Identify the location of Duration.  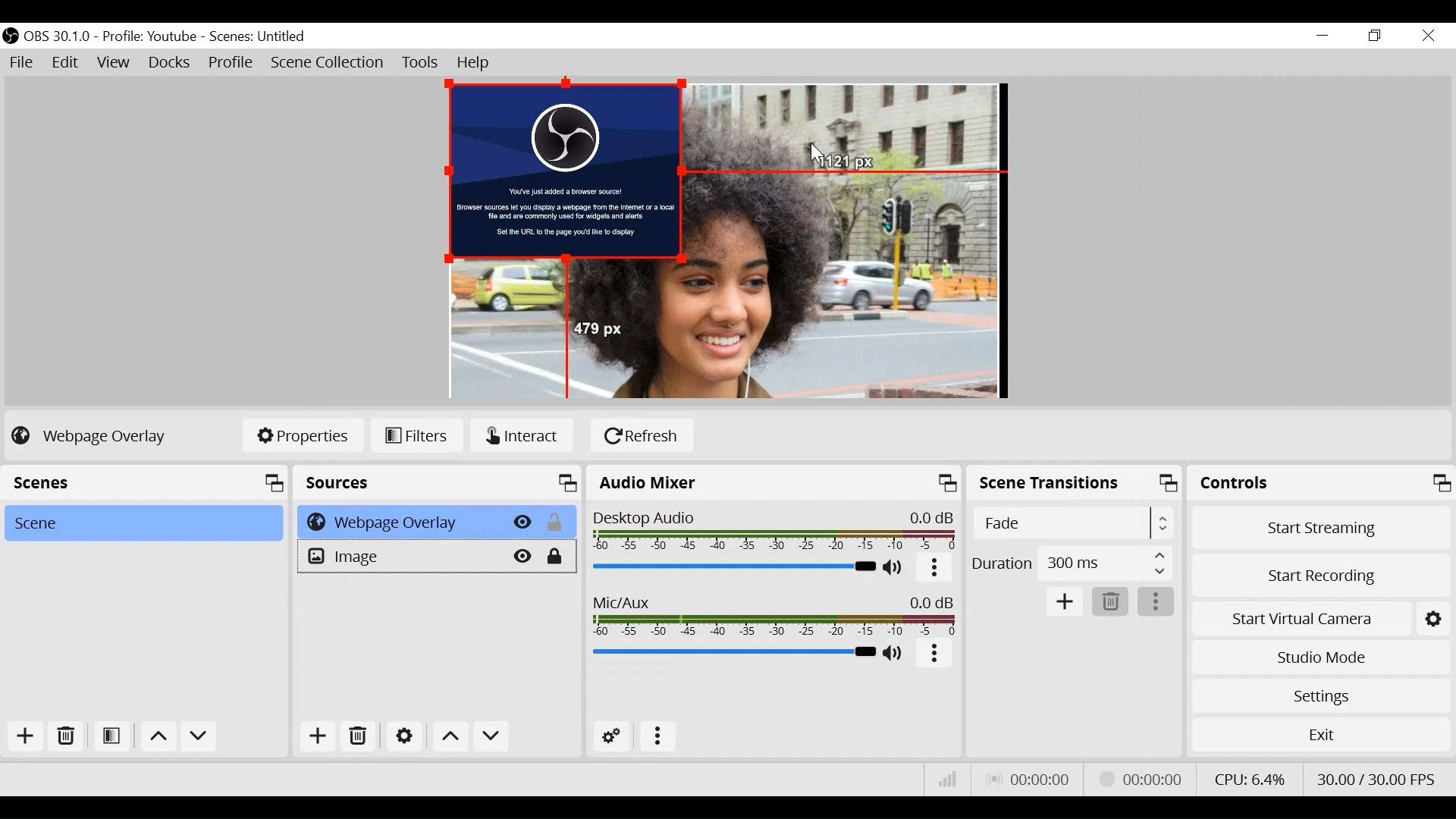
(1072, 565).